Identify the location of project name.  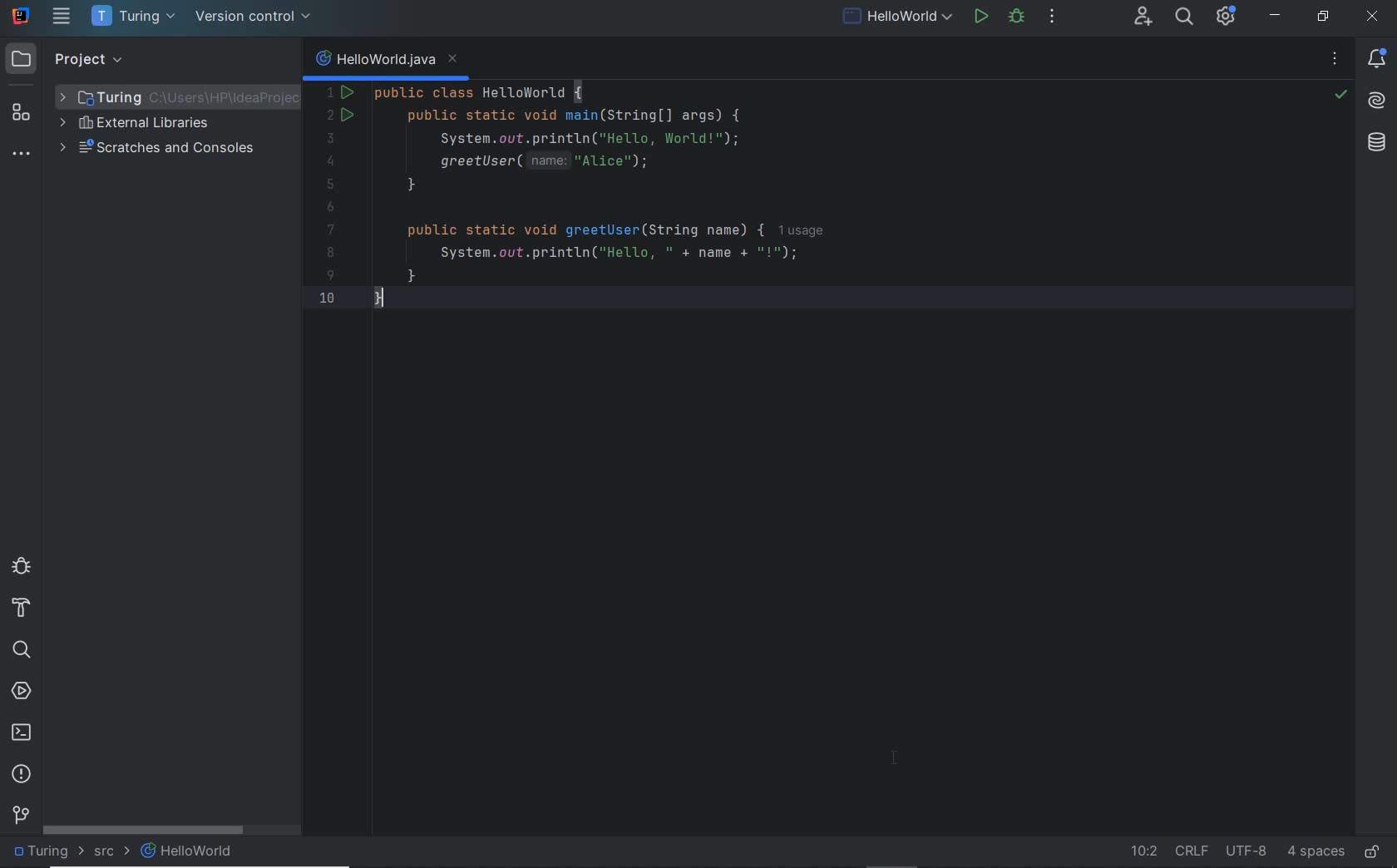
(136, 17).